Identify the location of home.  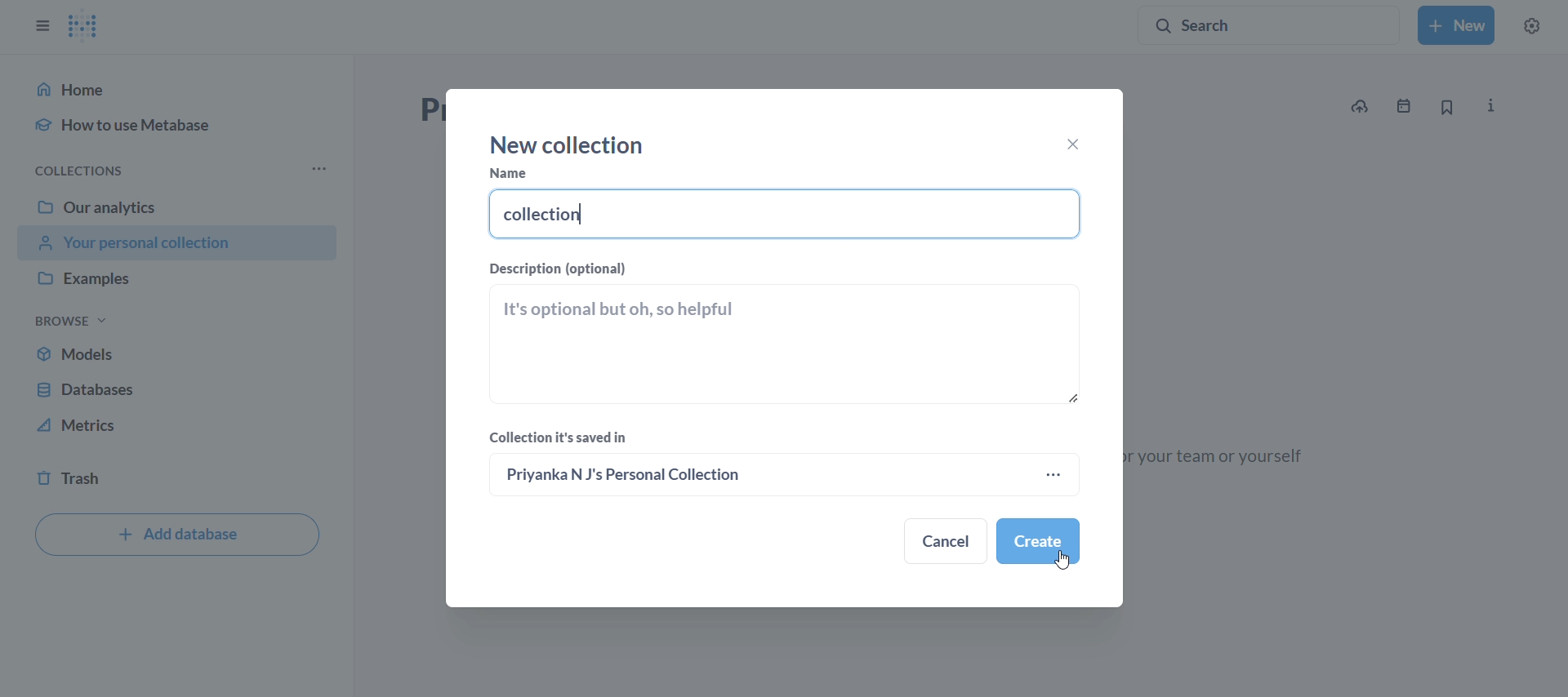
(176, 88).